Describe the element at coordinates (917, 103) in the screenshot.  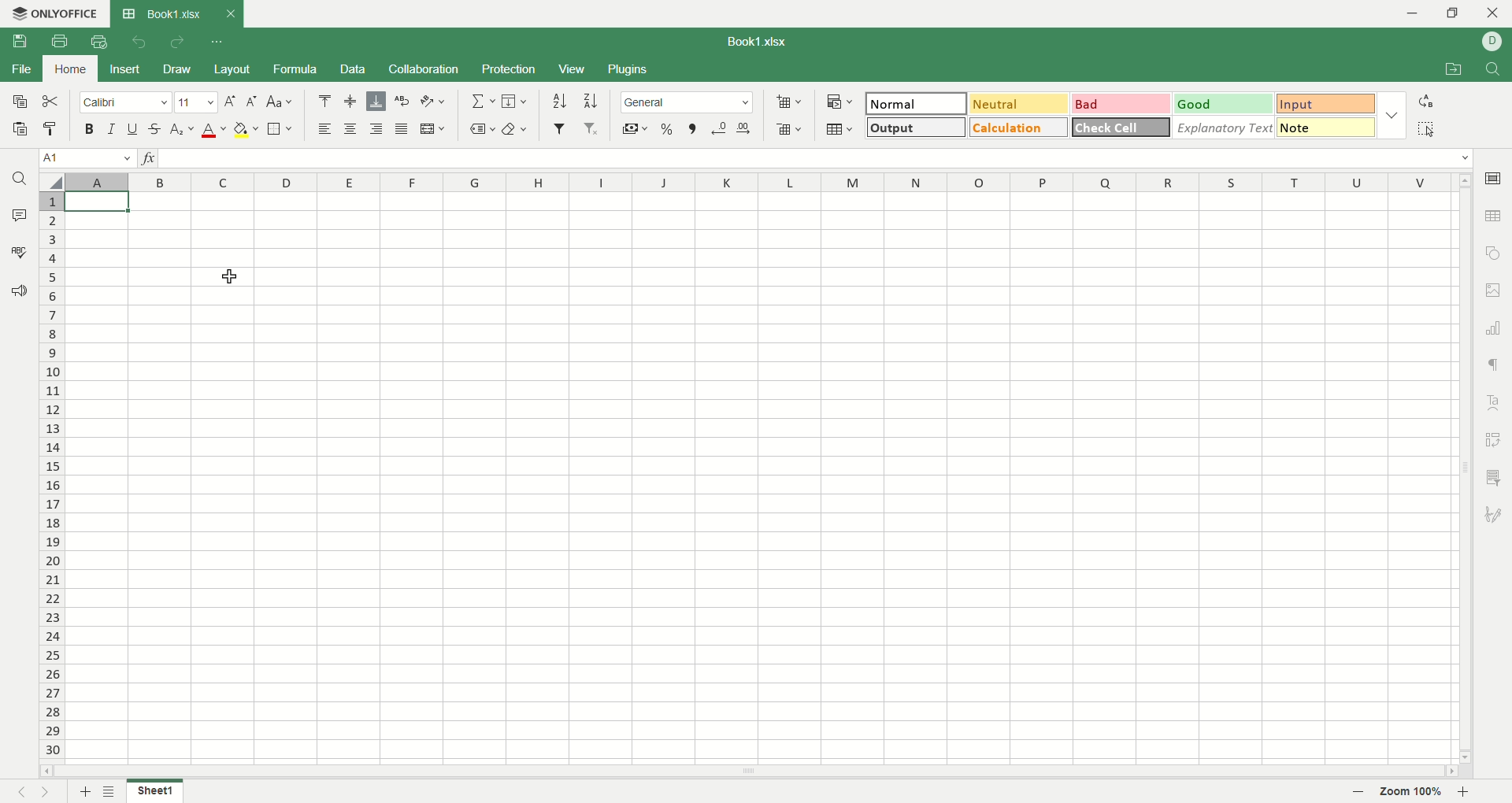
I see `normal` at that location.